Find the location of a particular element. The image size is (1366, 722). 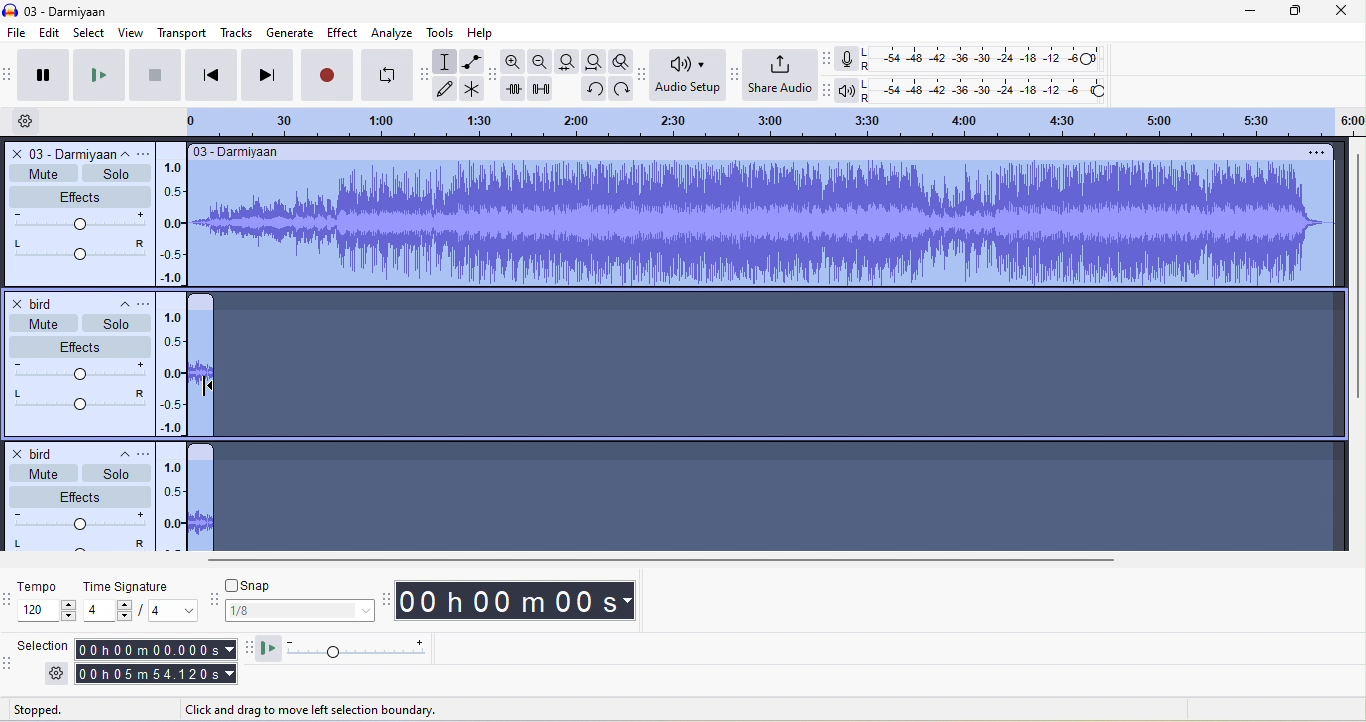

transport is located at coordinates (178, 33).